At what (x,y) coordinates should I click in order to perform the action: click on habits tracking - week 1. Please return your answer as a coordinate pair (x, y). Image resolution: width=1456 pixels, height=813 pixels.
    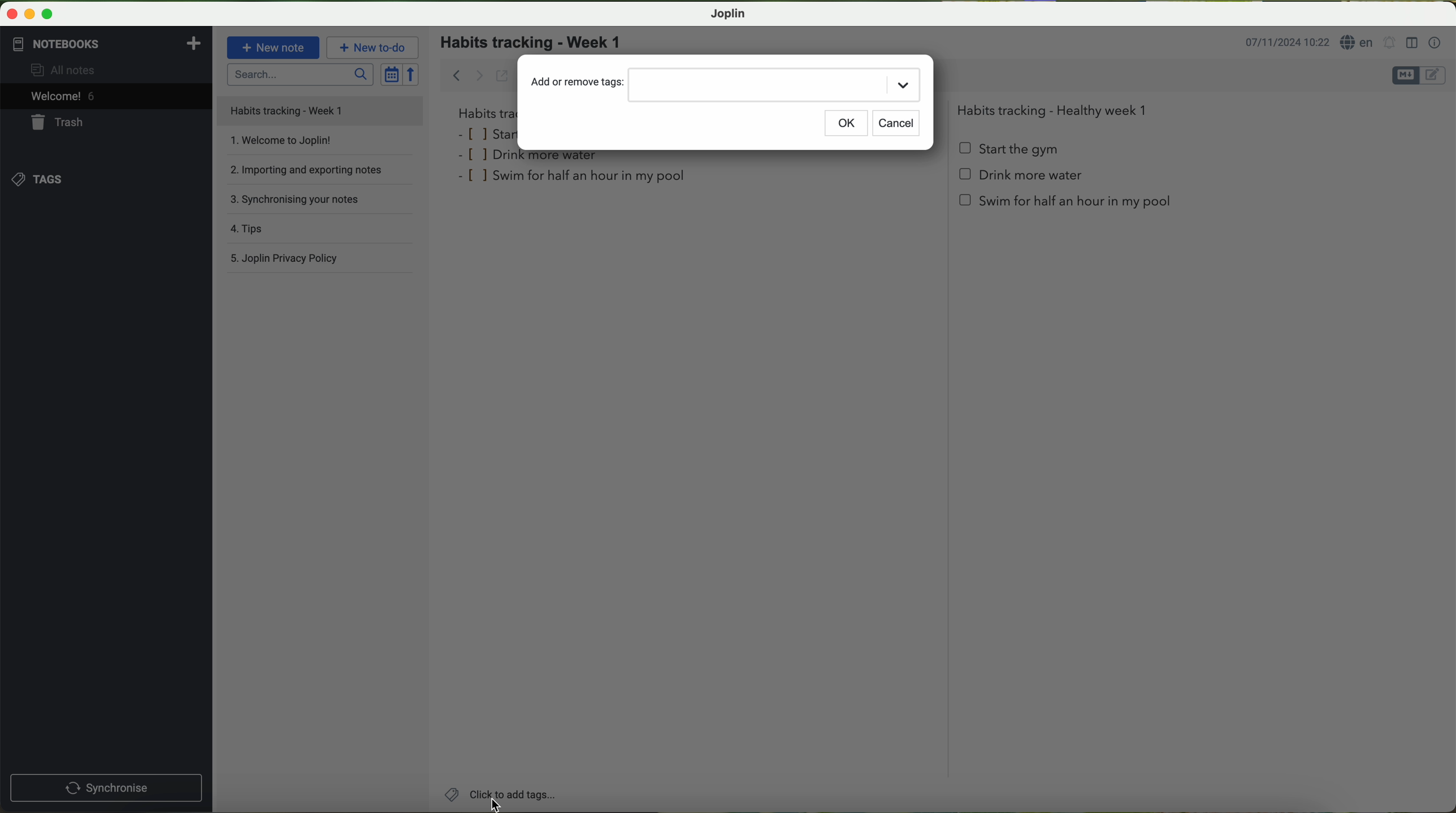
    Looking at the image, I should click on (538, 43).